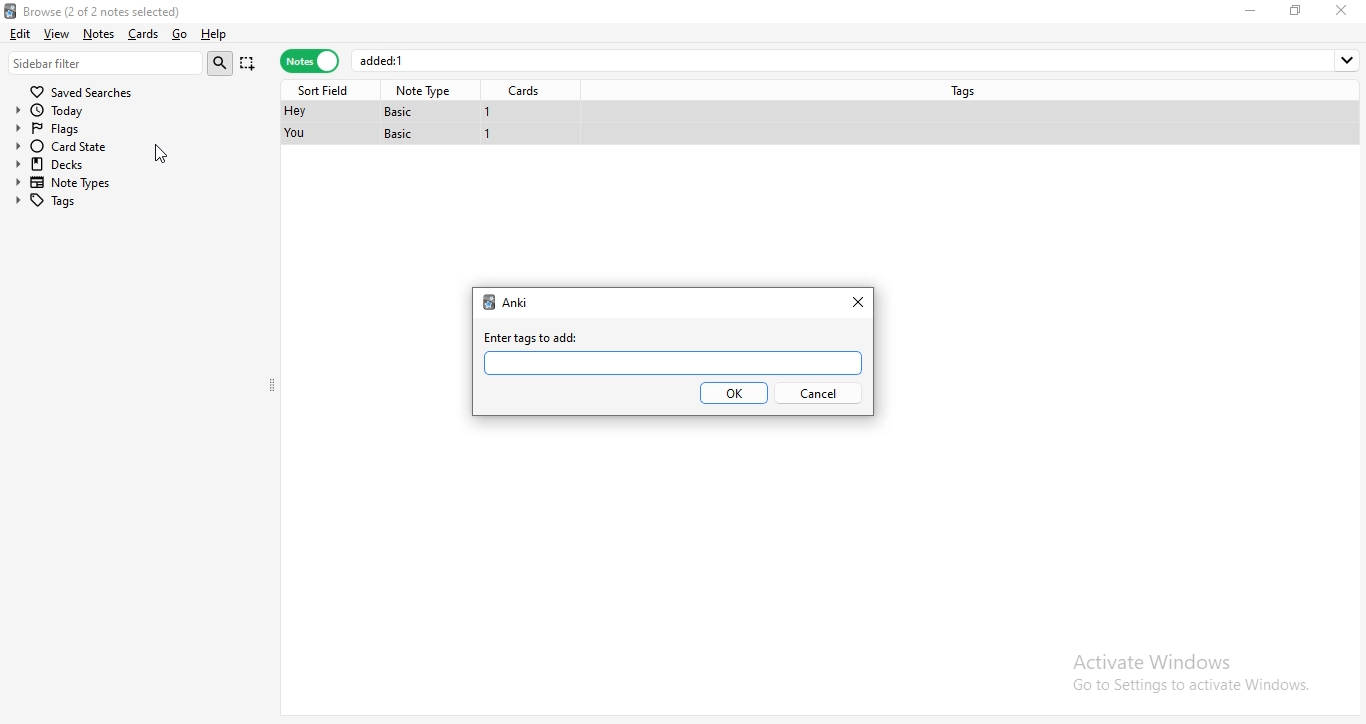 This screenshot has width=1366, height=724. Describe the element at coordinates (968, 89) in the screenshot. I see `tags` at that location.